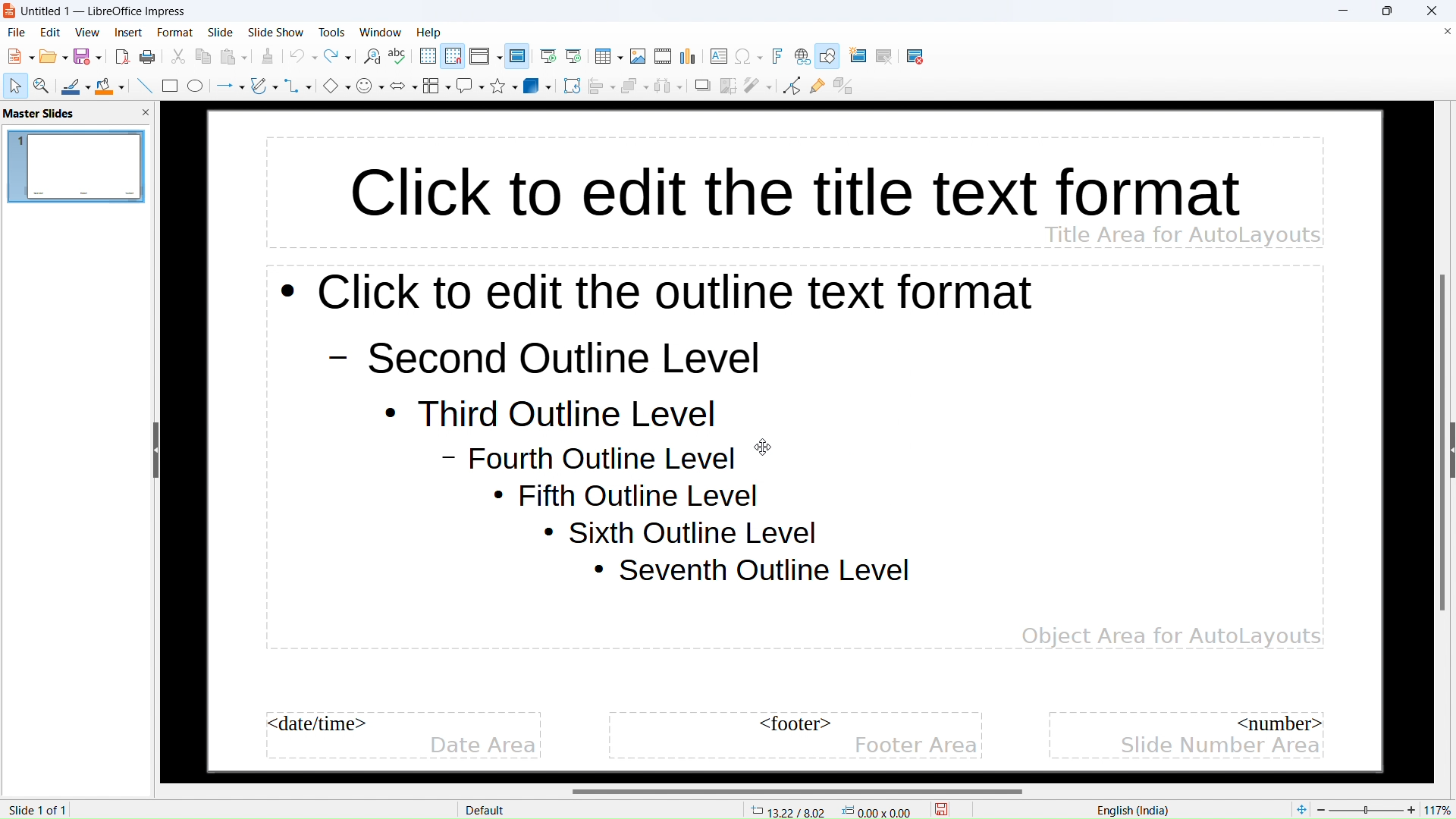 The image size is (1456, 819). I want to click on new, so click(21, 56).